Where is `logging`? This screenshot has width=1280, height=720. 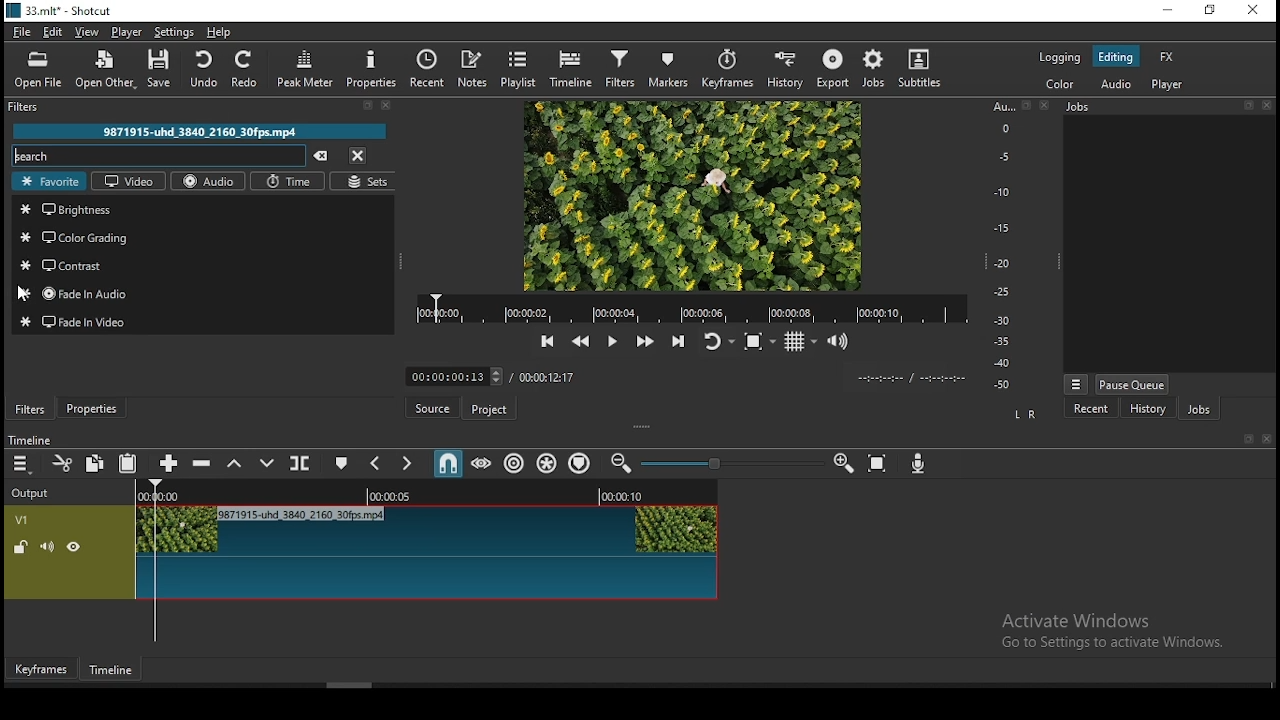
logging is located at coordinates (1059, 58).